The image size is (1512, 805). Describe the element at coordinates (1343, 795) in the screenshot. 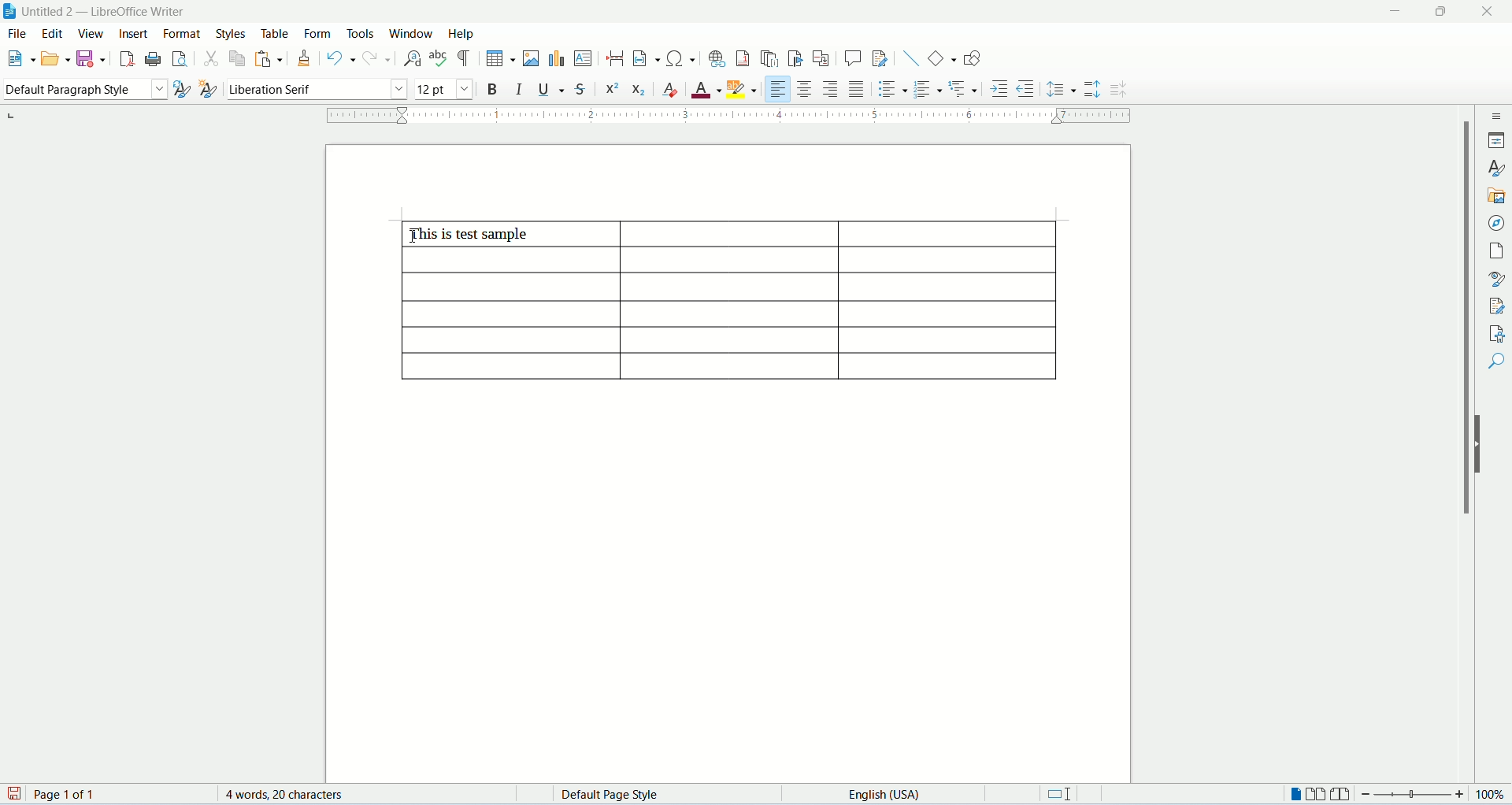

I see `book view` at that location.